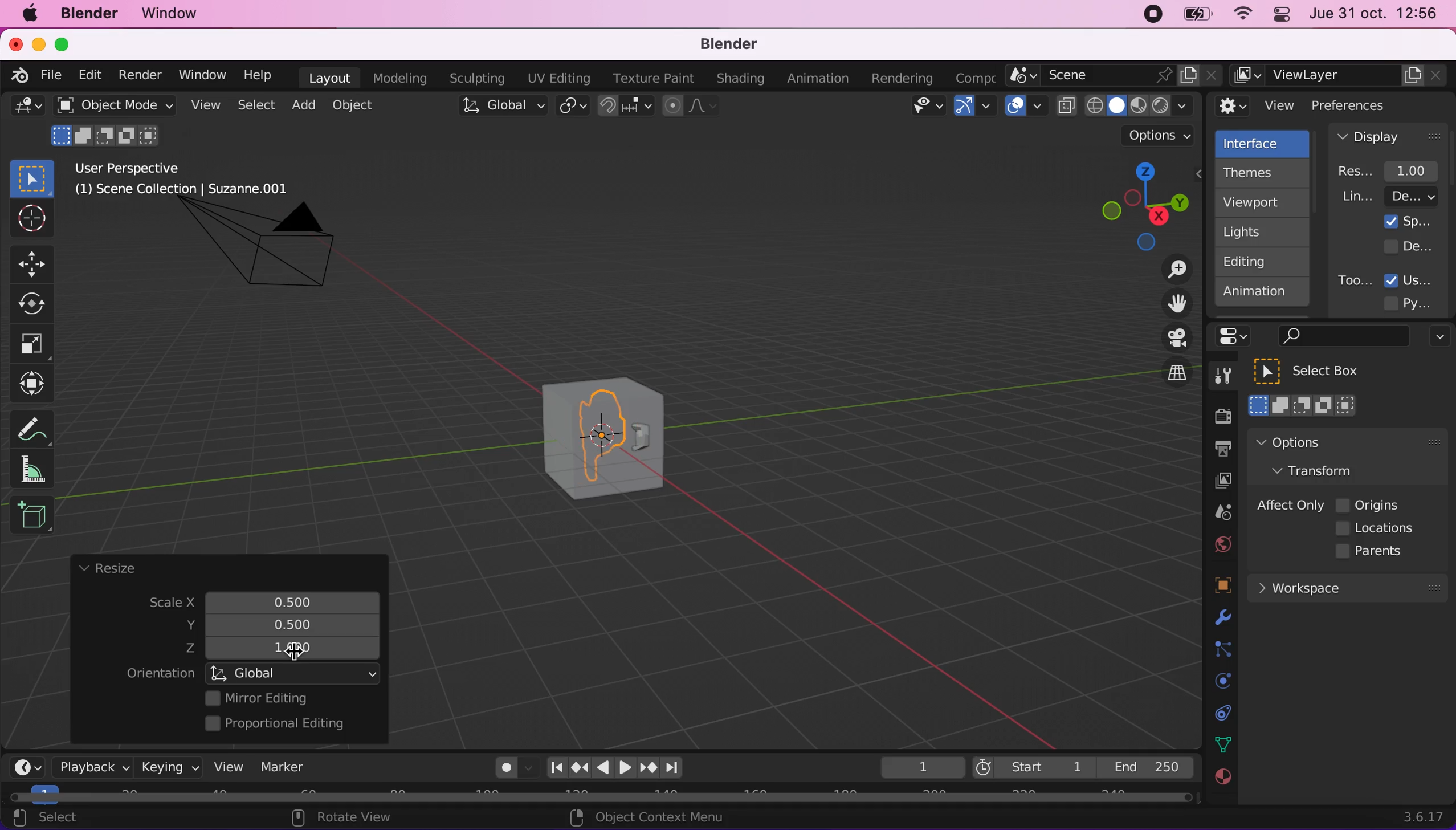 The width and height of the screenshot is (1456, 830). What do you see at coordinates (1264, 142) in the screenshot?
I see `interface` at bounding box center [1264, 142].